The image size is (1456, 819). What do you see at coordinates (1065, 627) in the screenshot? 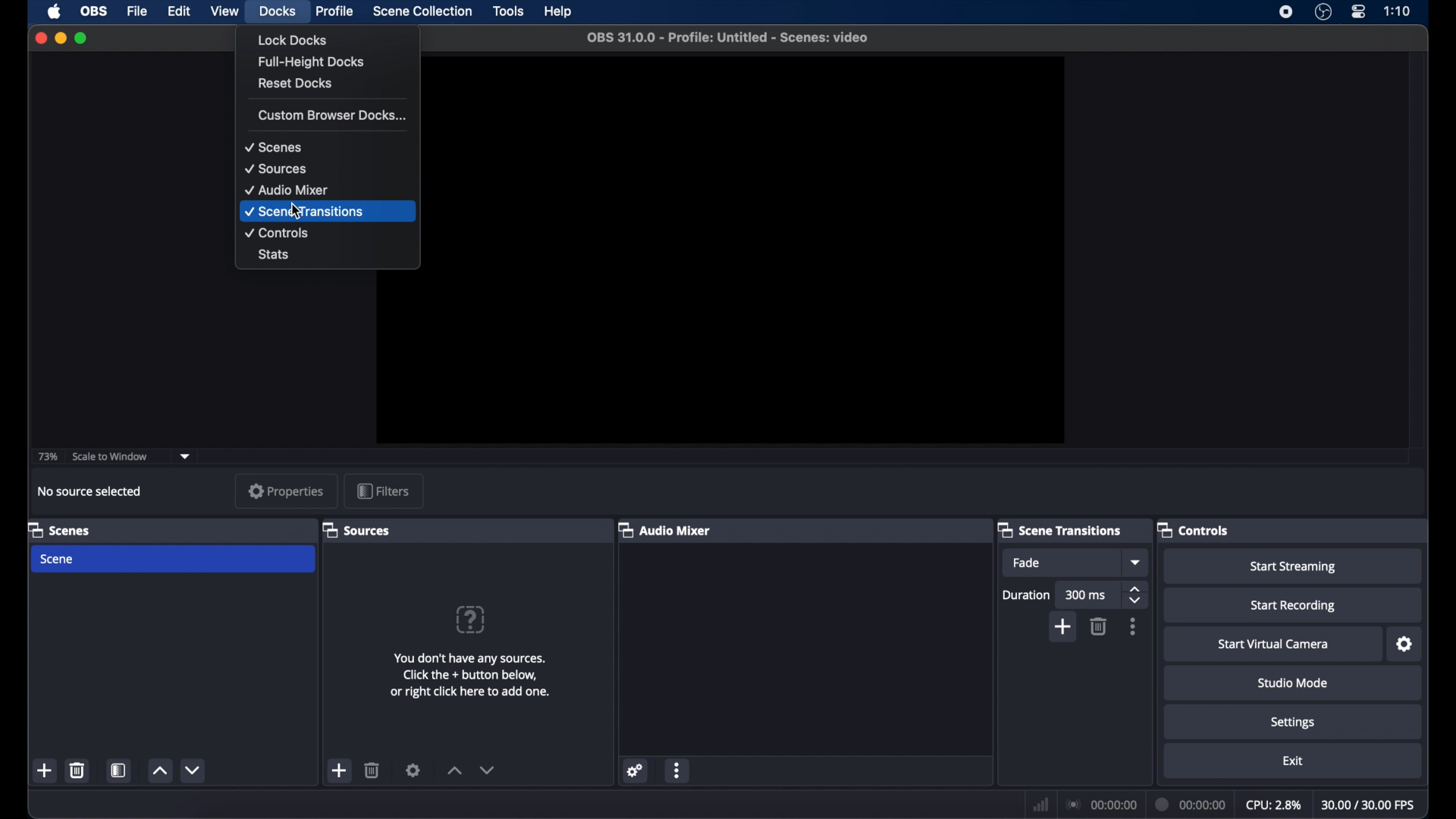
I see `add` at bounding box center [1065, 627].